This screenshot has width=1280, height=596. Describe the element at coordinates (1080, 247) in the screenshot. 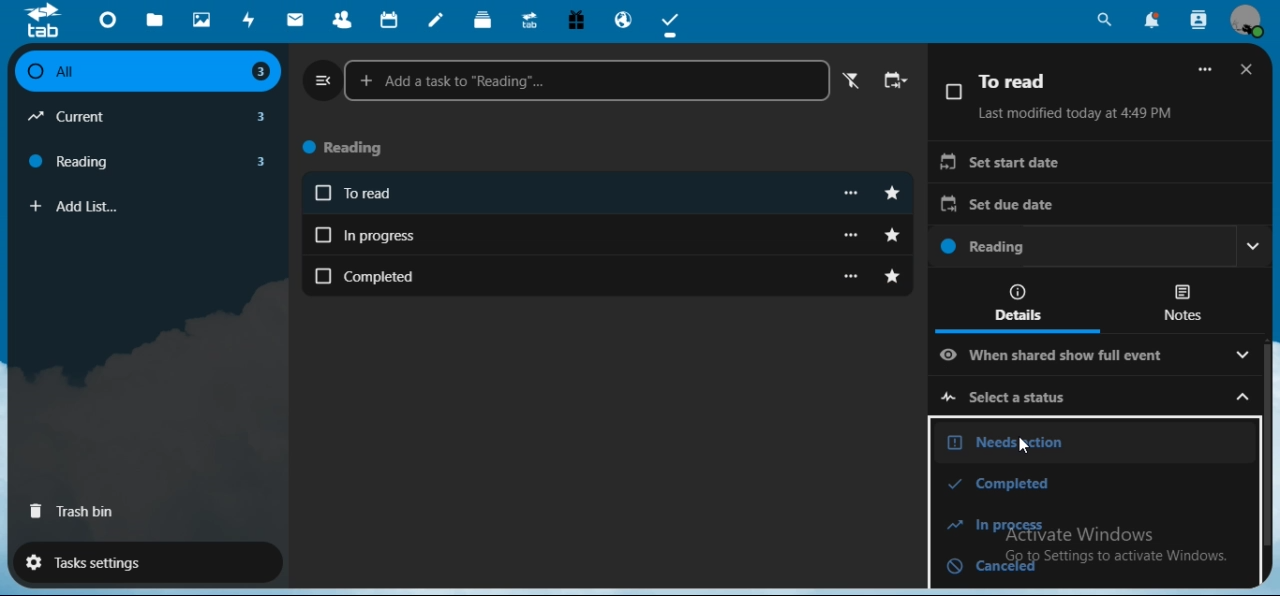

I see `reading` at that location.